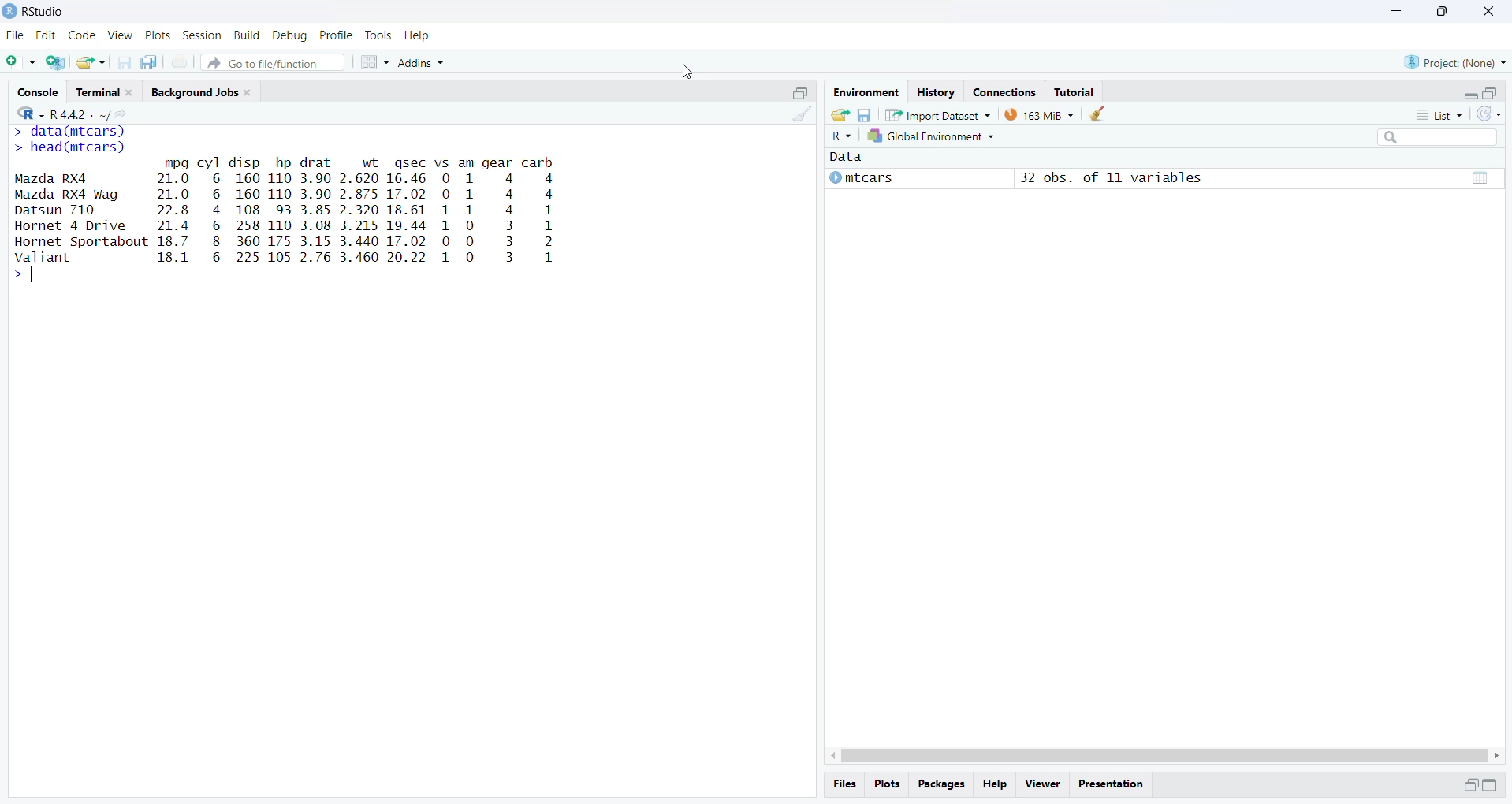 This screenshot has height=804, width=1512. Describe the element at coordinates (98, 92) in the screenshot. I see `Terminal` at that location.